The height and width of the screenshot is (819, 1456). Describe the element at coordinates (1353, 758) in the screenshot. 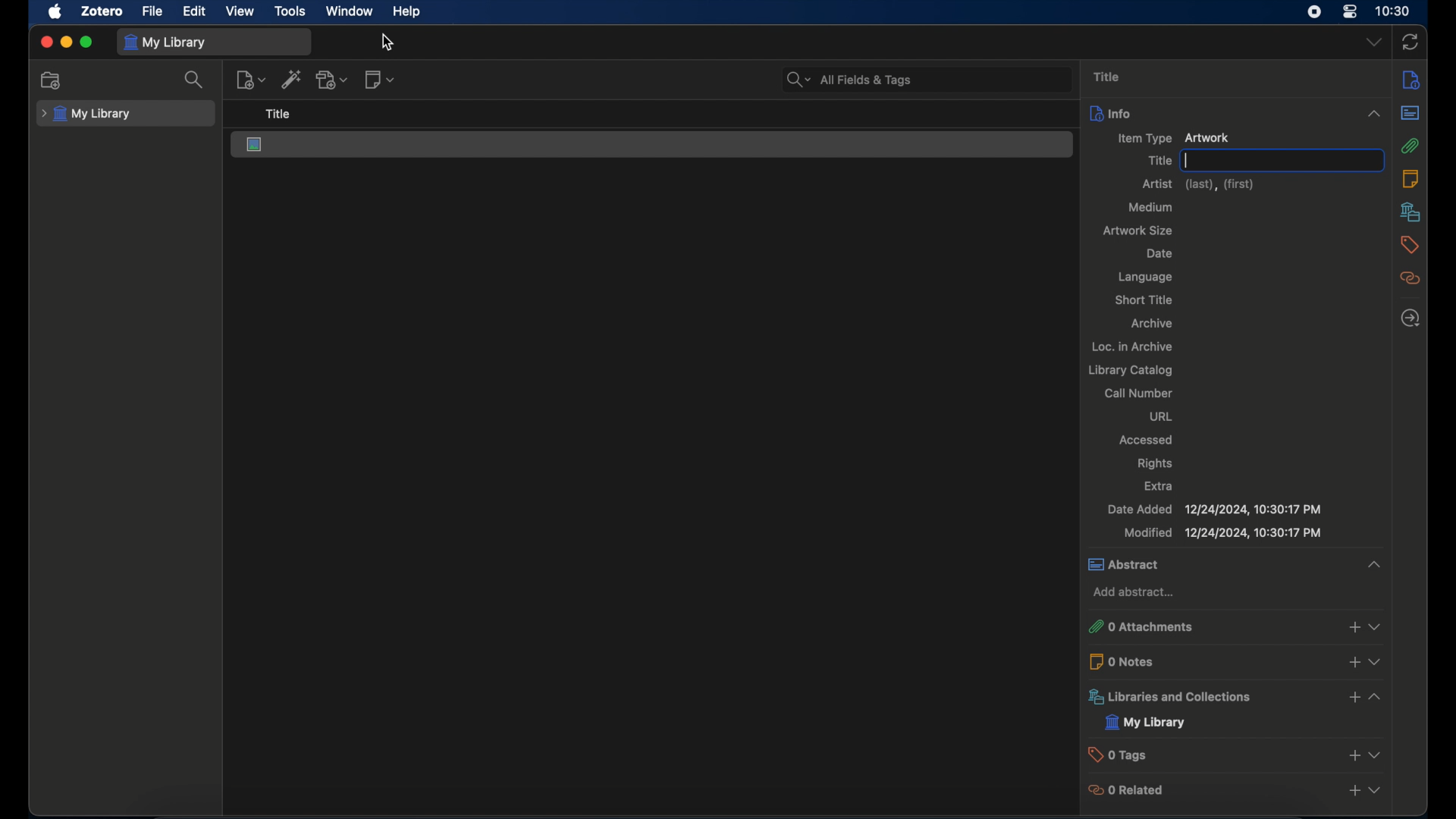

I see `add` at that location.